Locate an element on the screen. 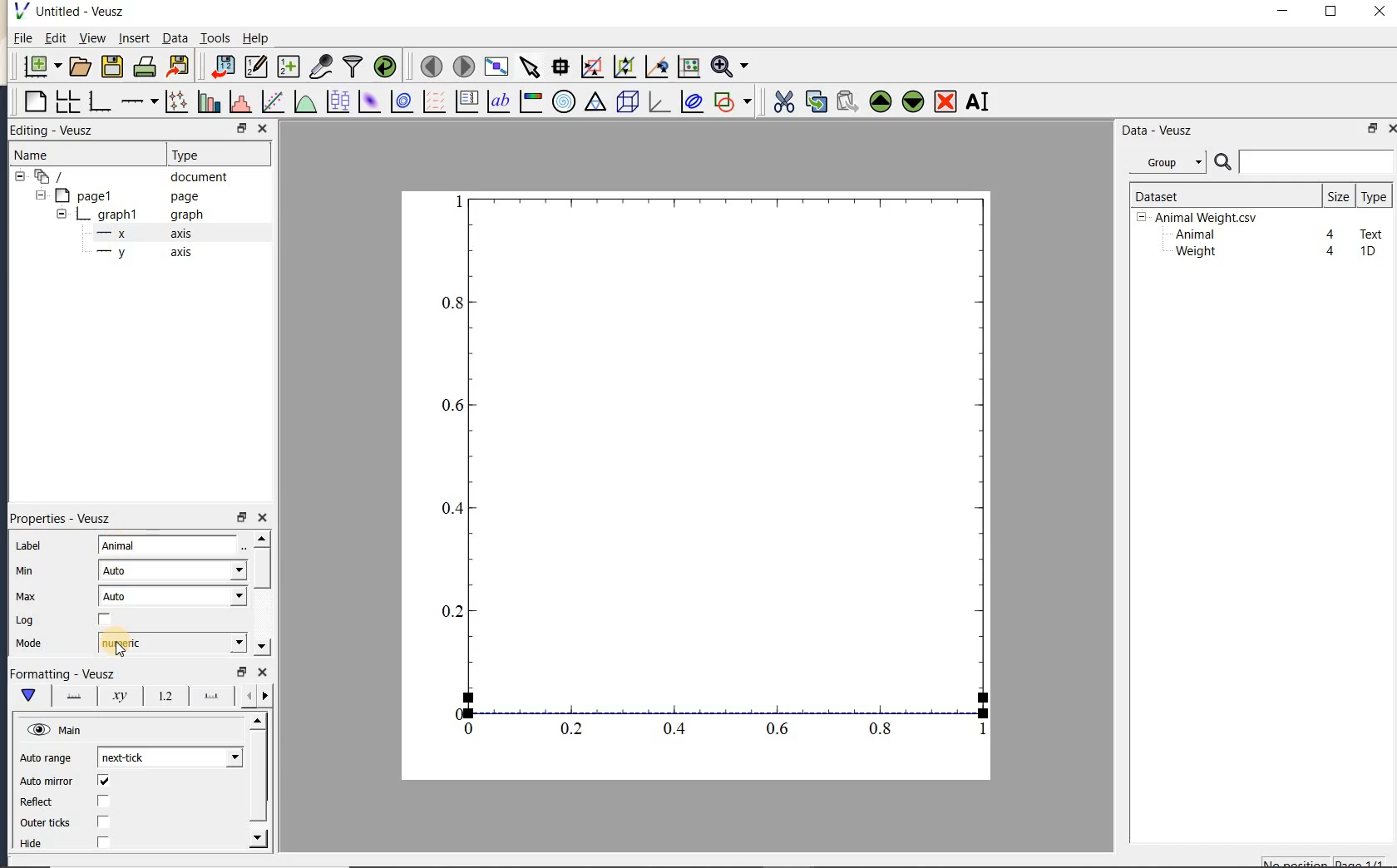 The width and height of the screenshot is (1397, 868). Tools is located at coordinates (216, 37).